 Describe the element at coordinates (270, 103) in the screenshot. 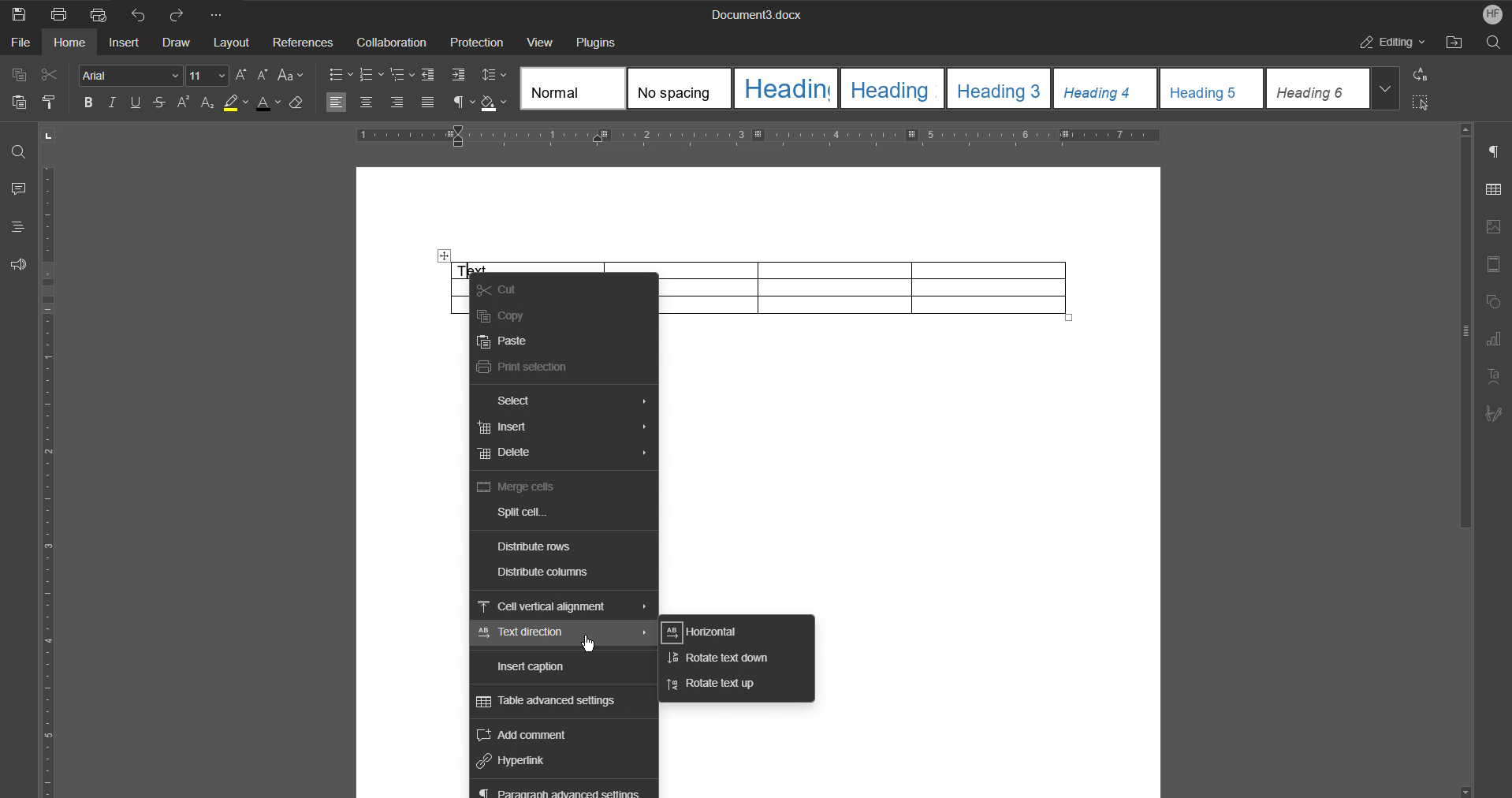

I see `Text Color` at that location.